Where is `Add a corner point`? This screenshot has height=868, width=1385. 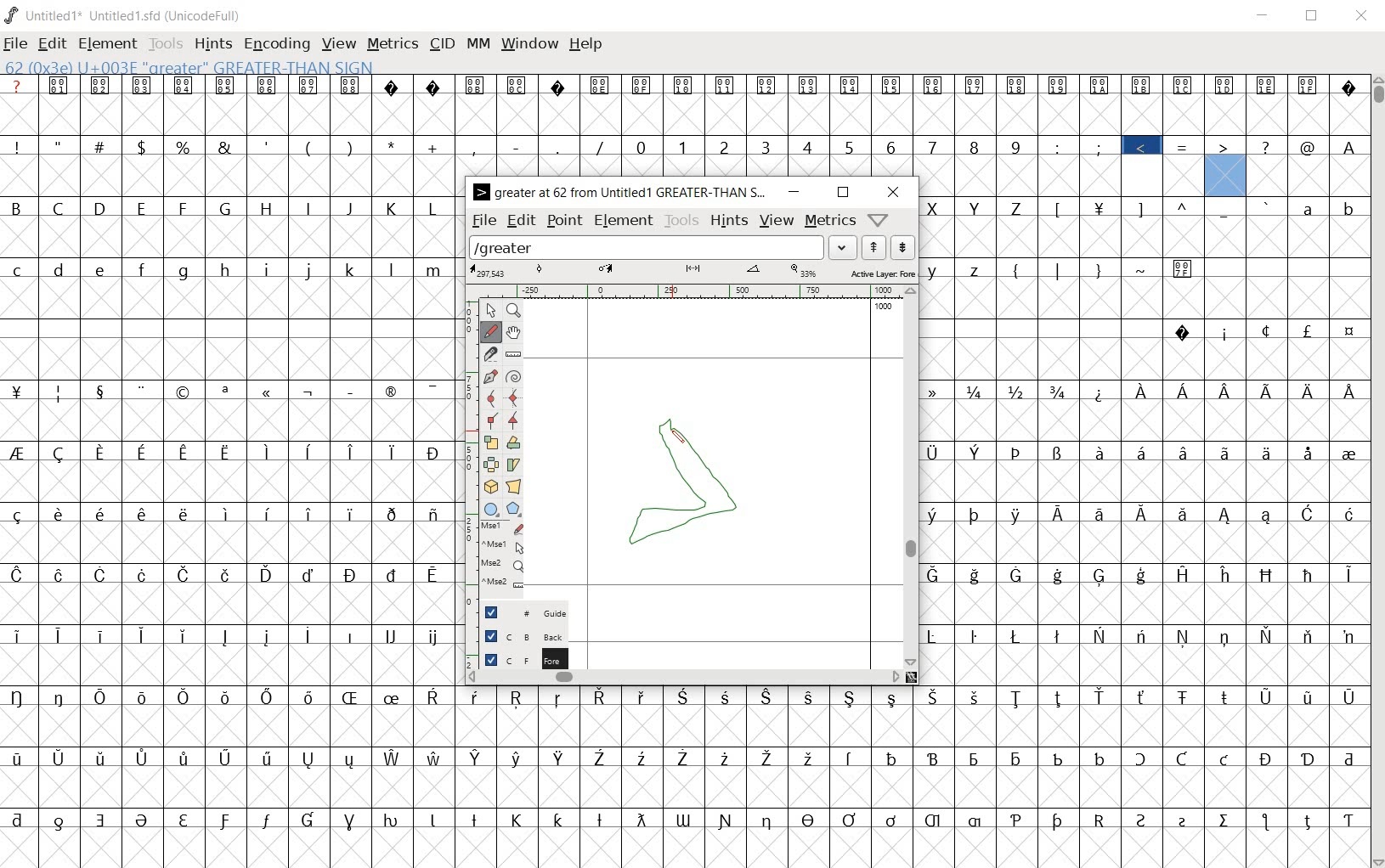
Add a corner point is located at coordinates (492, 420).